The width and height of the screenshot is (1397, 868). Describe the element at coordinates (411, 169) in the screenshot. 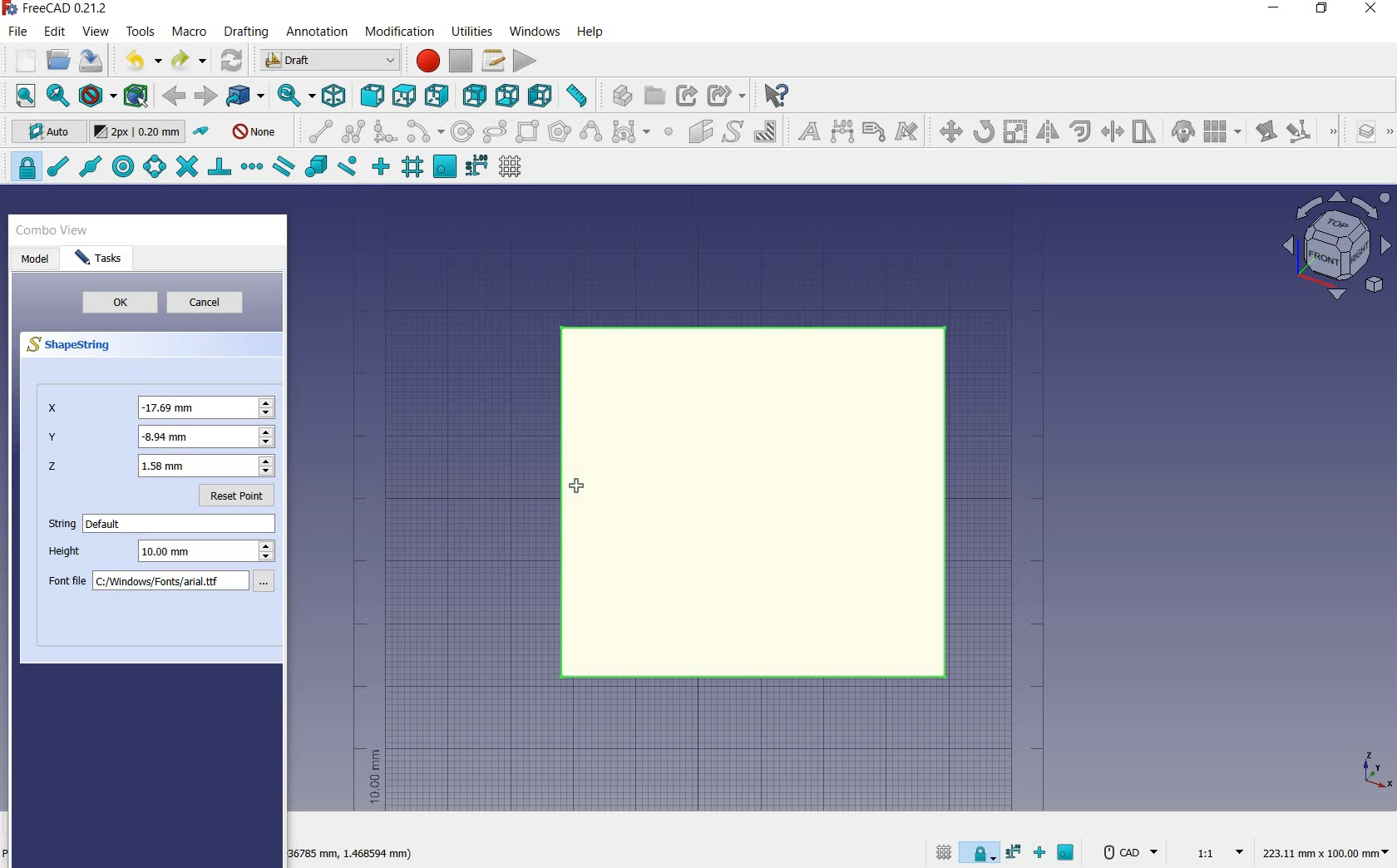

I see `snap grid` at that location.